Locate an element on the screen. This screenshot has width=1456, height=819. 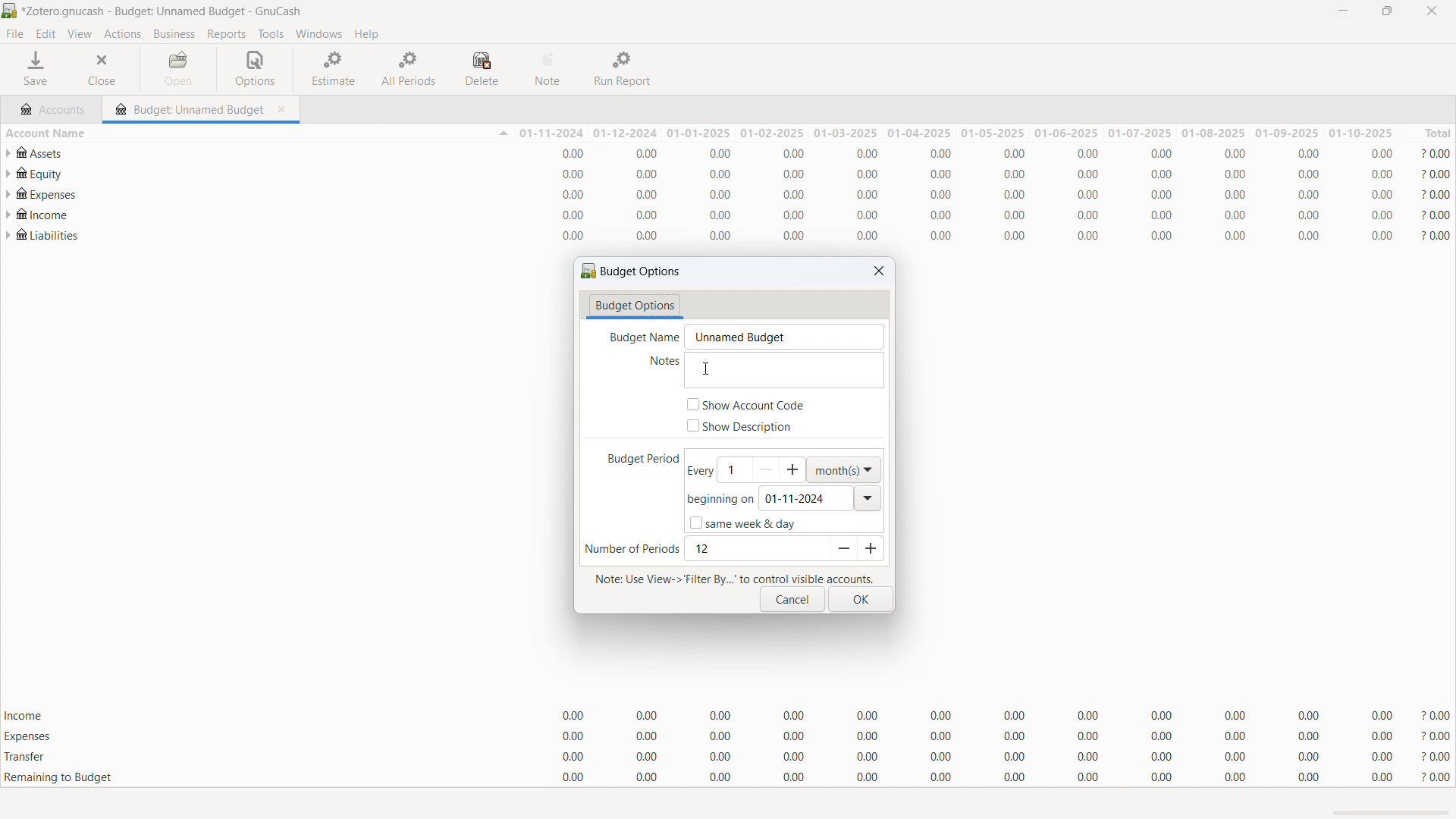
cancel is located at coordinates (792, 600).